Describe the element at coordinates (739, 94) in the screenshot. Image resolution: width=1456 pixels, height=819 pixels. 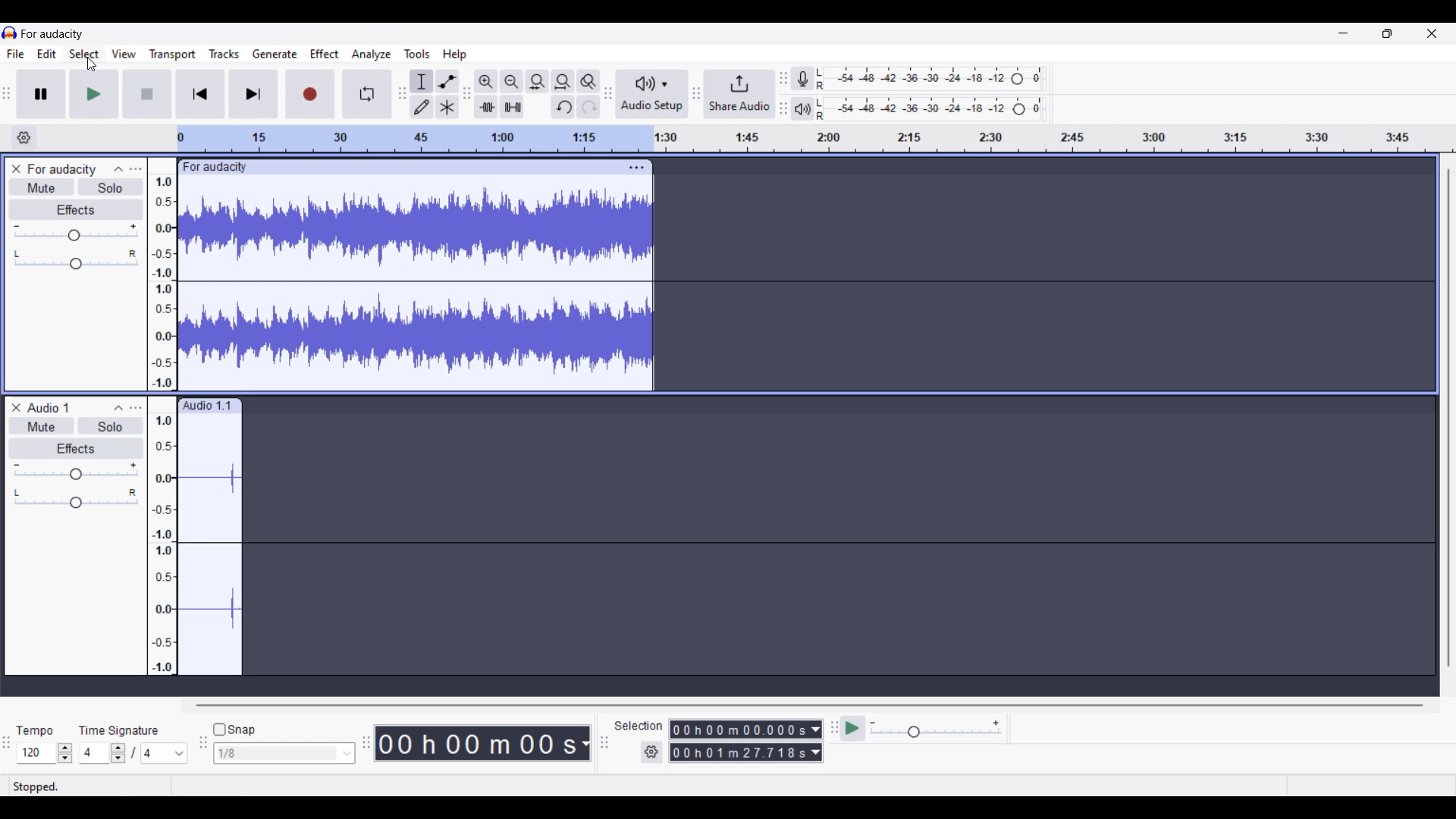
I see `Share audio` at that location.